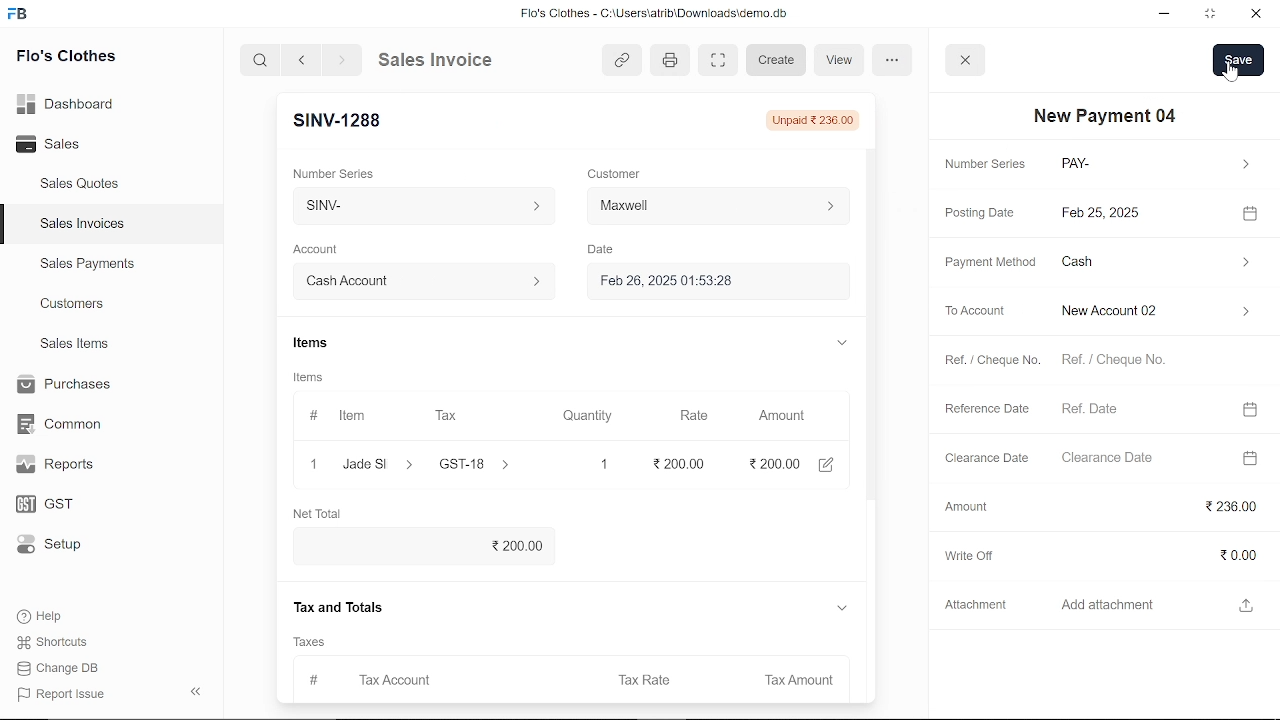  I want to click on Common, so click(62, 424).